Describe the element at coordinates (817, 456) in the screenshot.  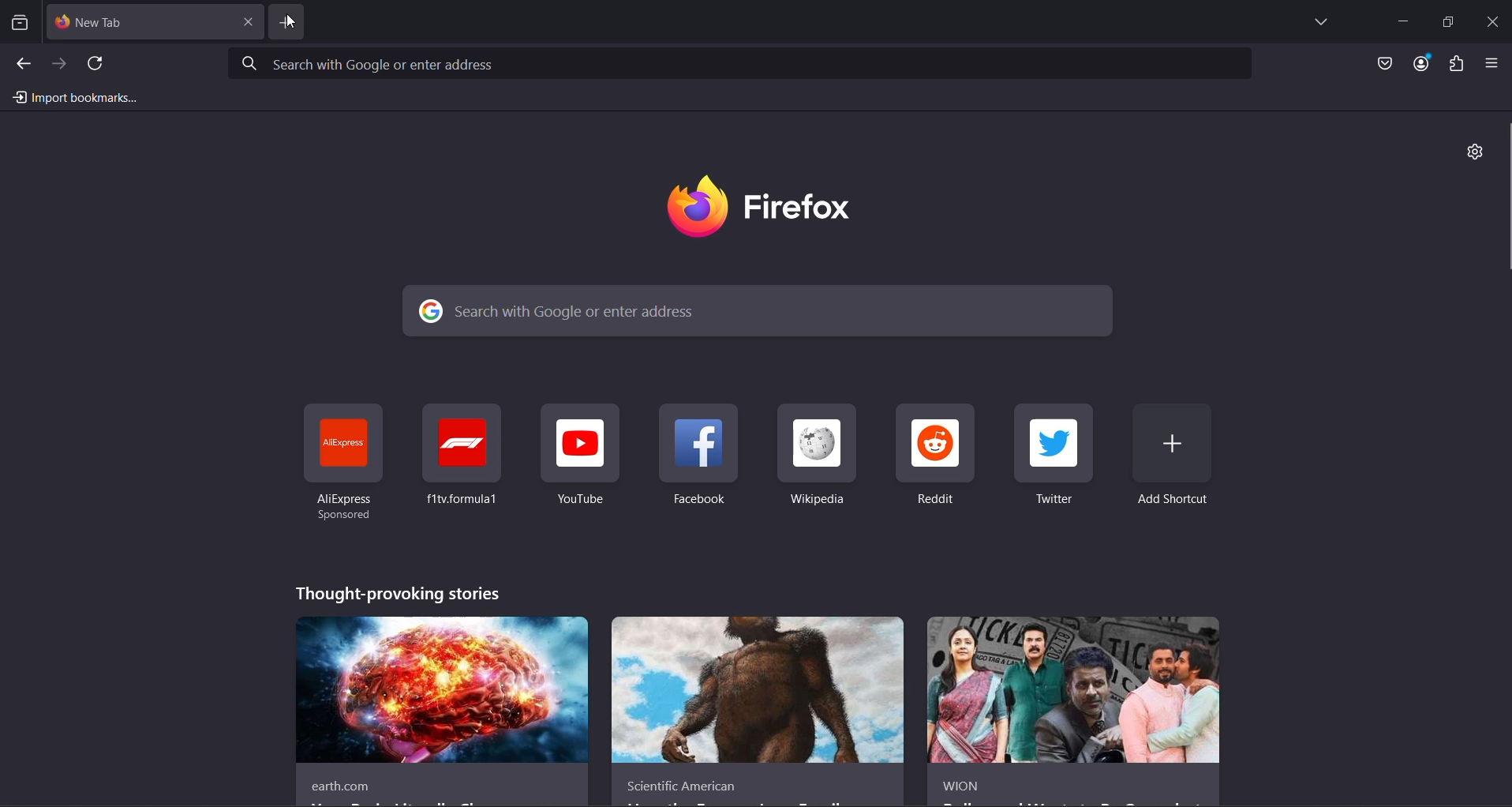
I see `shortcut` at that location.